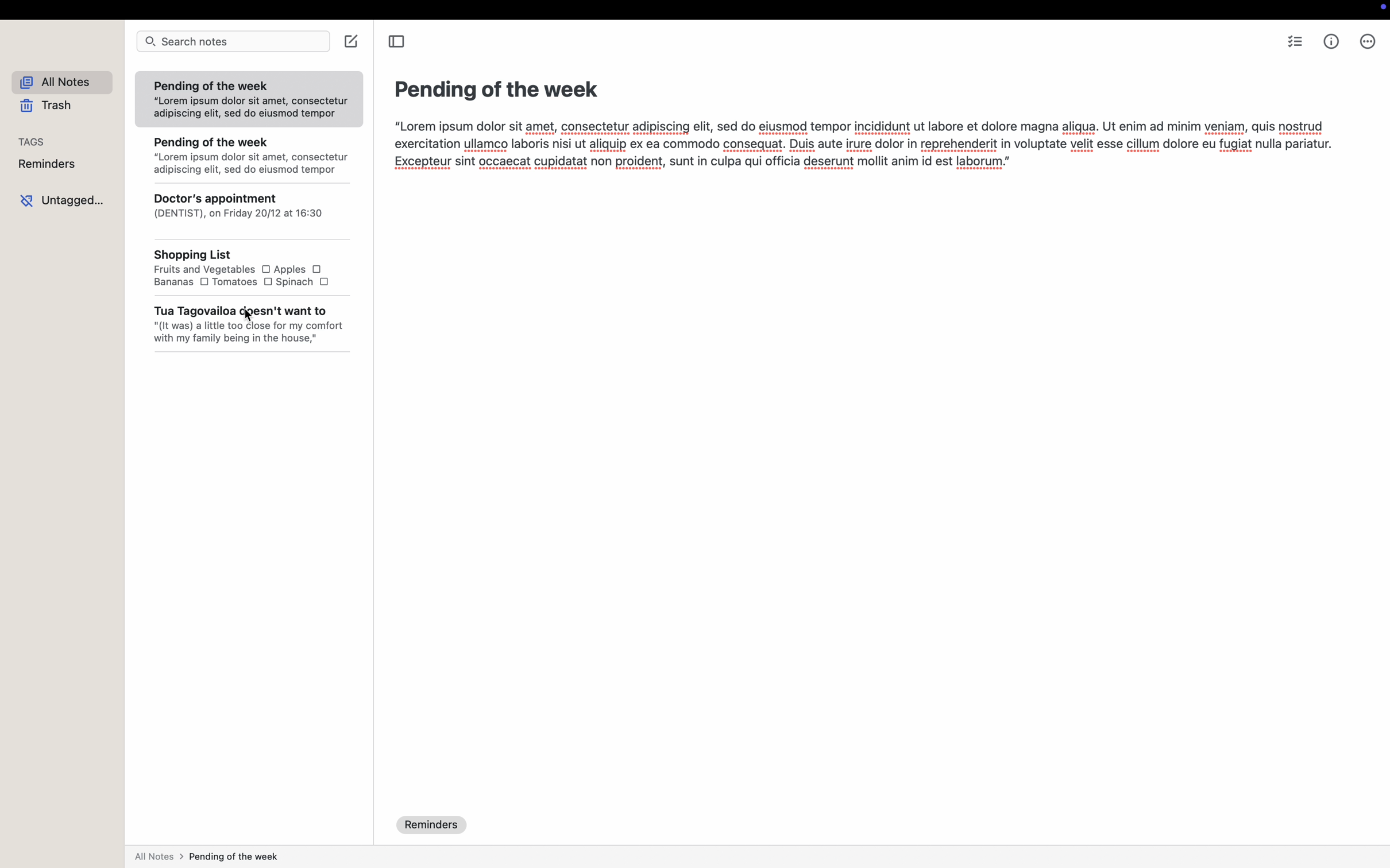 Image resolution: width=1390 pixels, height=868 pixels. Describe the element at coordinates (353, 41) in the screenshot. I see `create note` at that location.